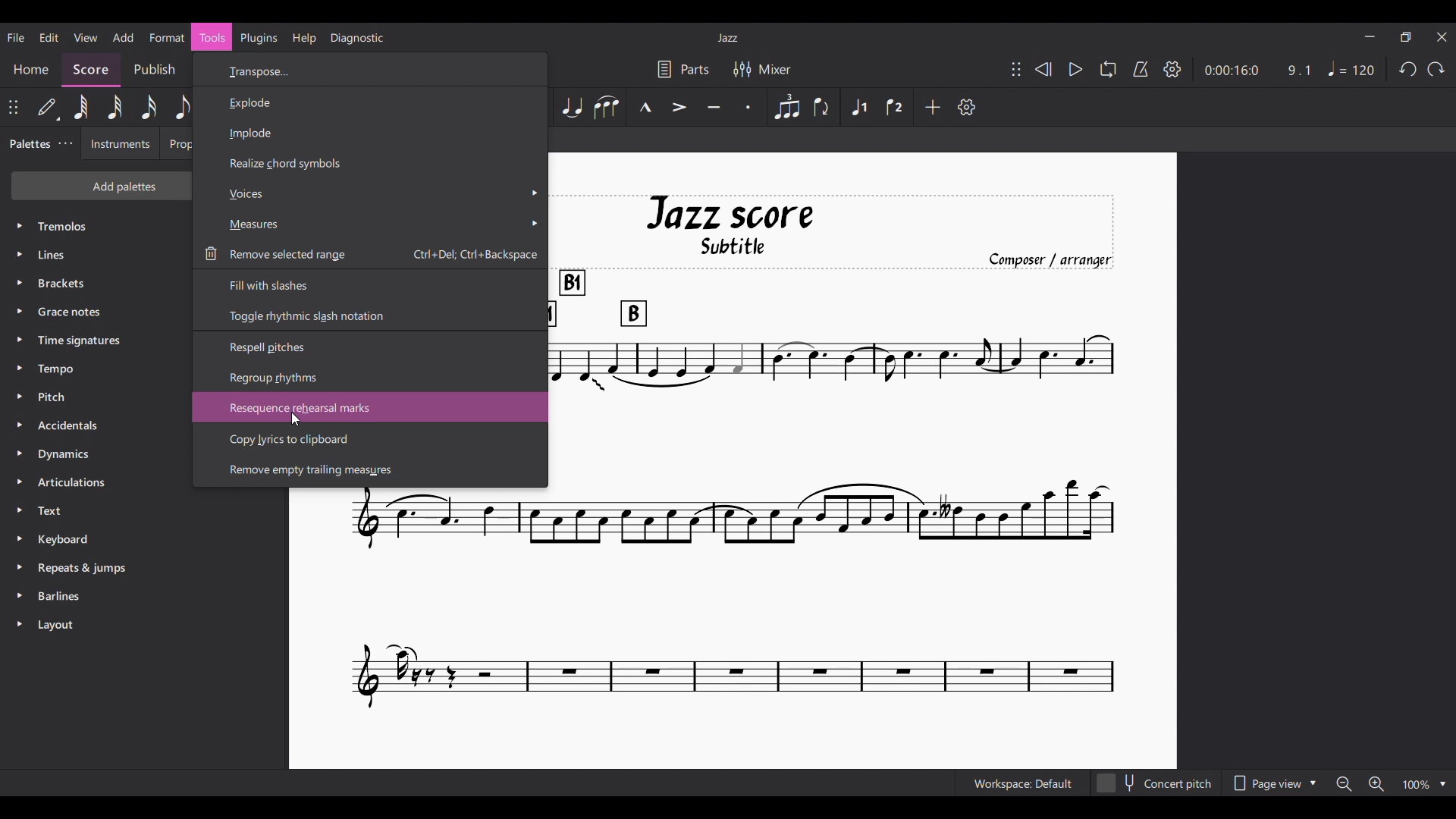 The width and height of the screenshot is (1456, 819). What do you see at coordinates (97, 311) in the screenshot?
I see `Grace notes` at bounding box center [97, 311].